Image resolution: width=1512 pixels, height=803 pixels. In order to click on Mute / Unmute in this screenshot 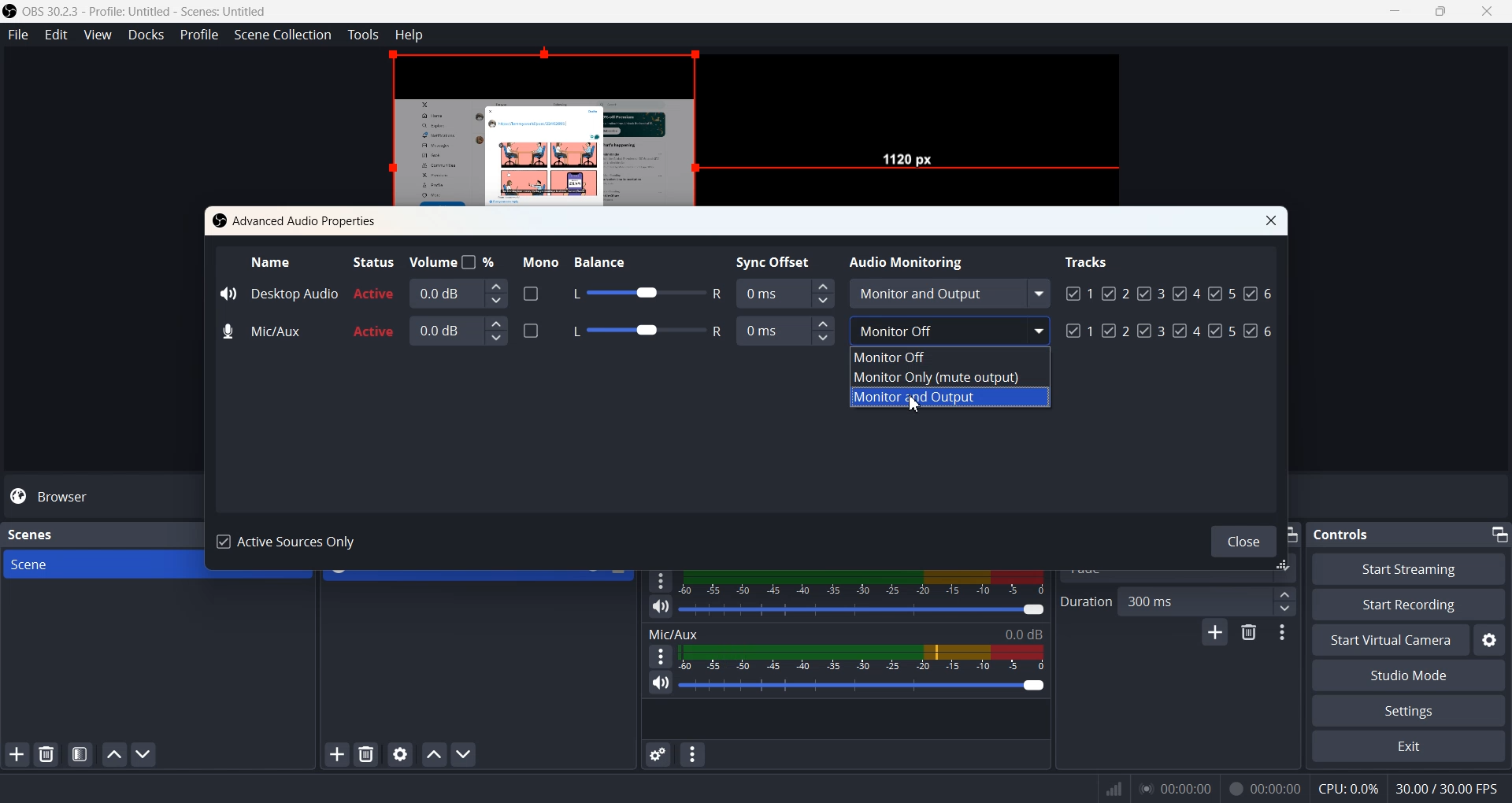, I will do `click(661, 606)`.